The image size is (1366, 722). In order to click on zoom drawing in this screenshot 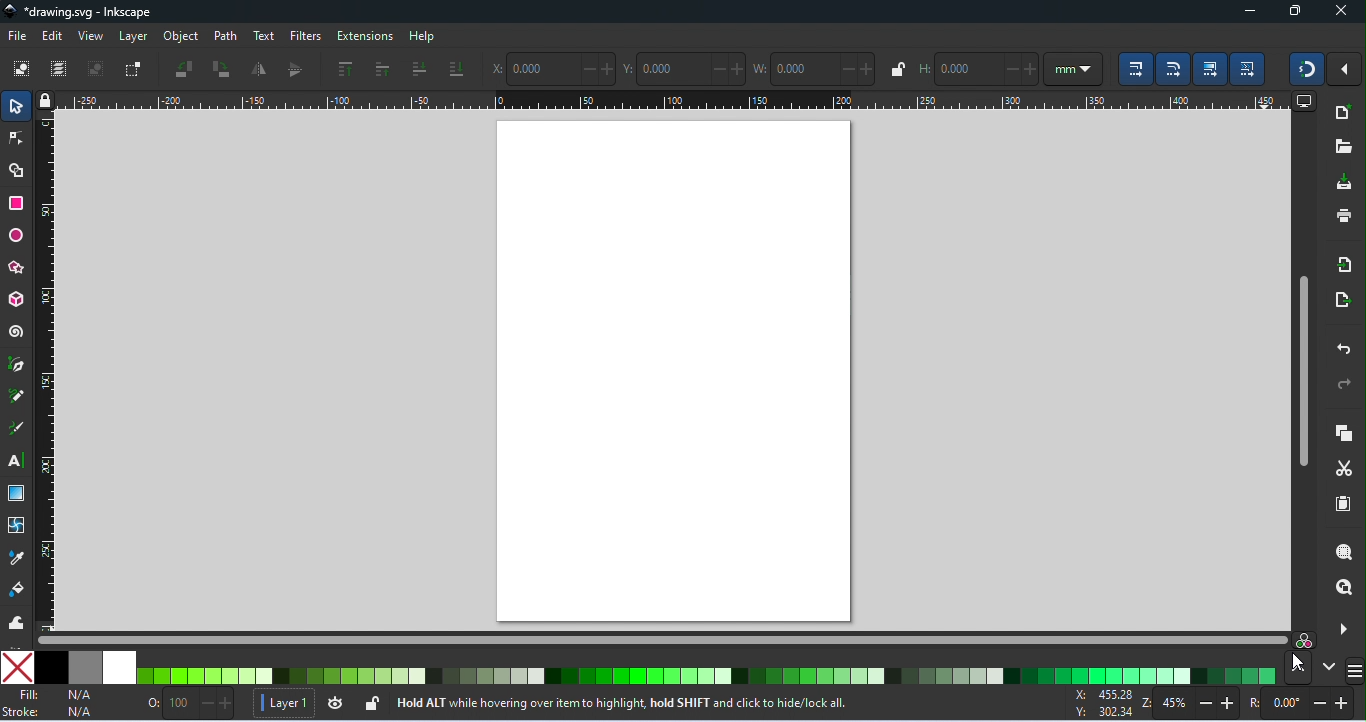, I will do `click(1342, 586)`.